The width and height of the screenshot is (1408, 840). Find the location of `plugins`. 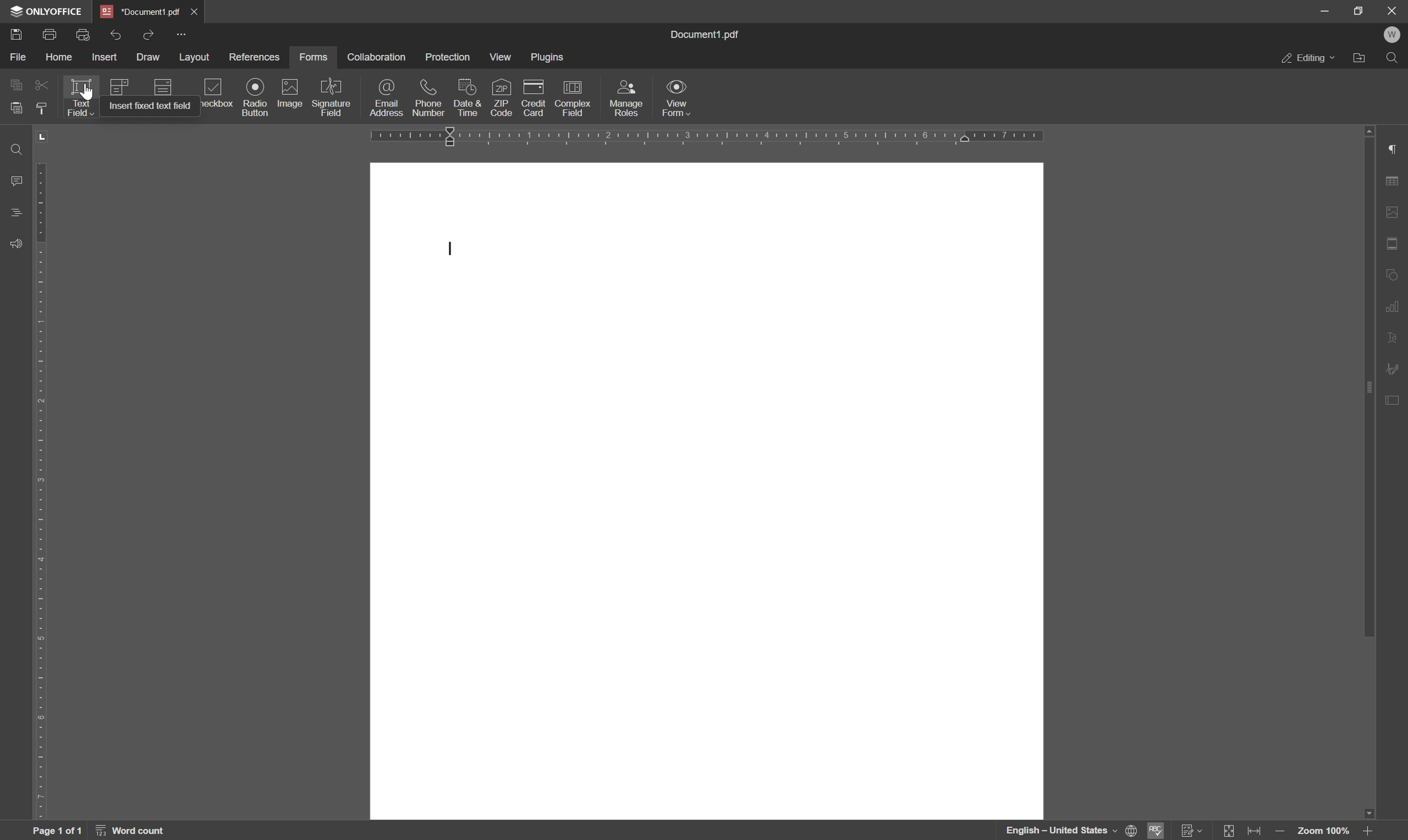

plugins is located at coordinates (552, 59).